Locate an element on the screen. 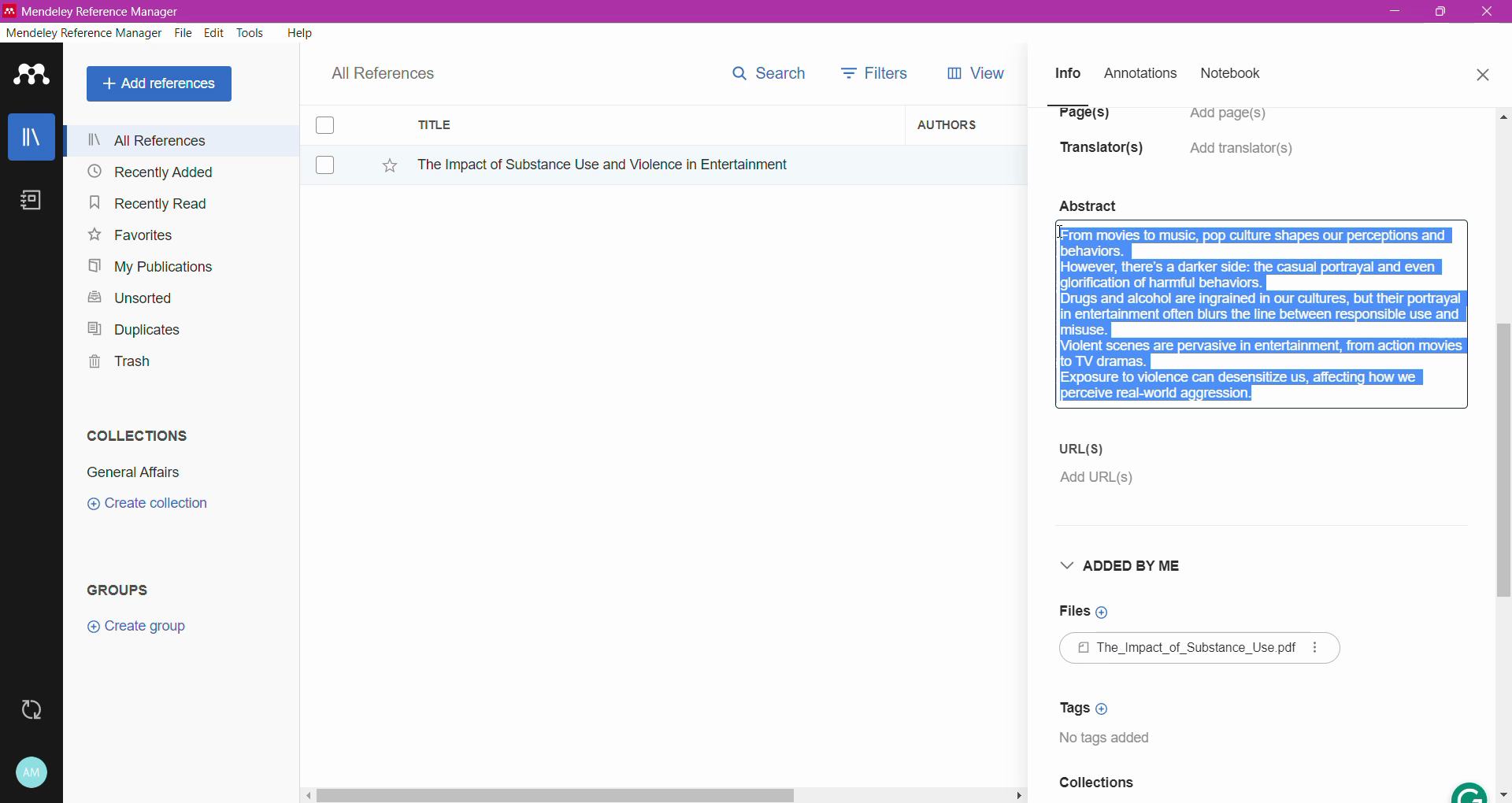 The image size is (1512, 803). Title is located at coordinates (654, 125).